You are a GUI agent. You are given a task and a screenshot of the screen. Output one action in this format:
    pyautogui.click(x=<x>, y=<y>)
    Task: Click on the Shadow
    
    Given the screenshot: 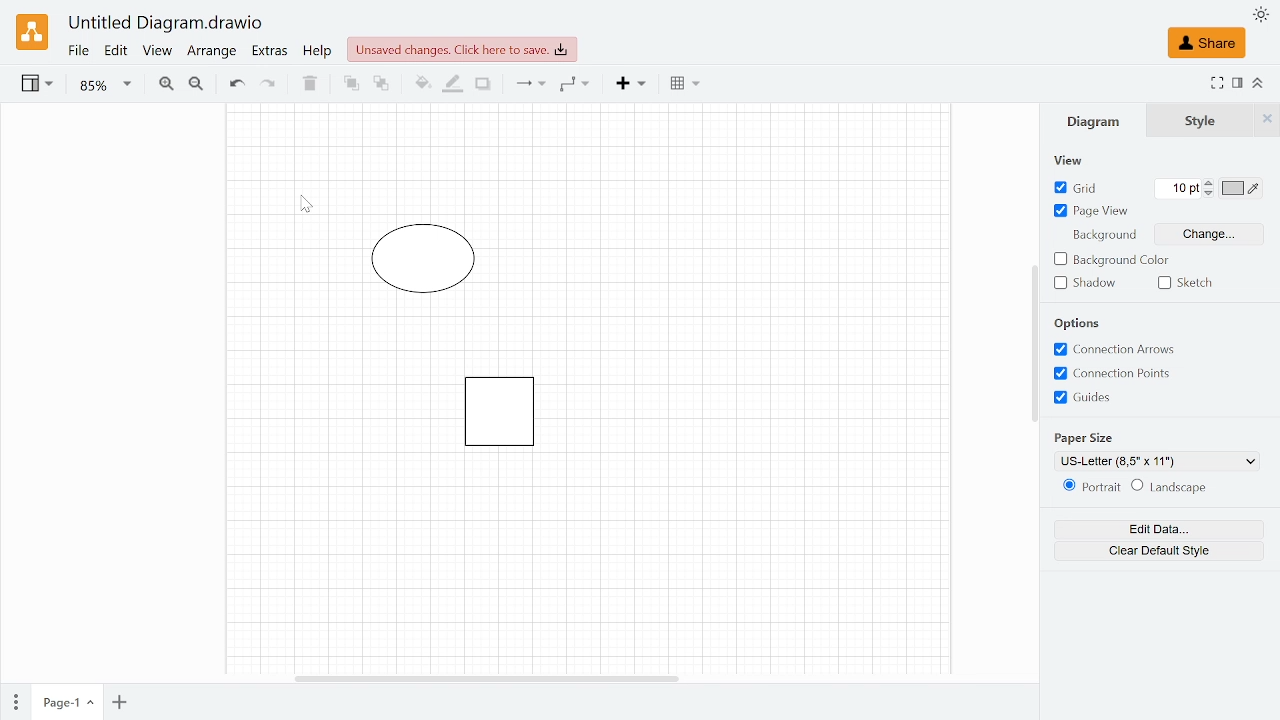 What is the action you would take?
    pyautogui.click(x=483, y=85)
    